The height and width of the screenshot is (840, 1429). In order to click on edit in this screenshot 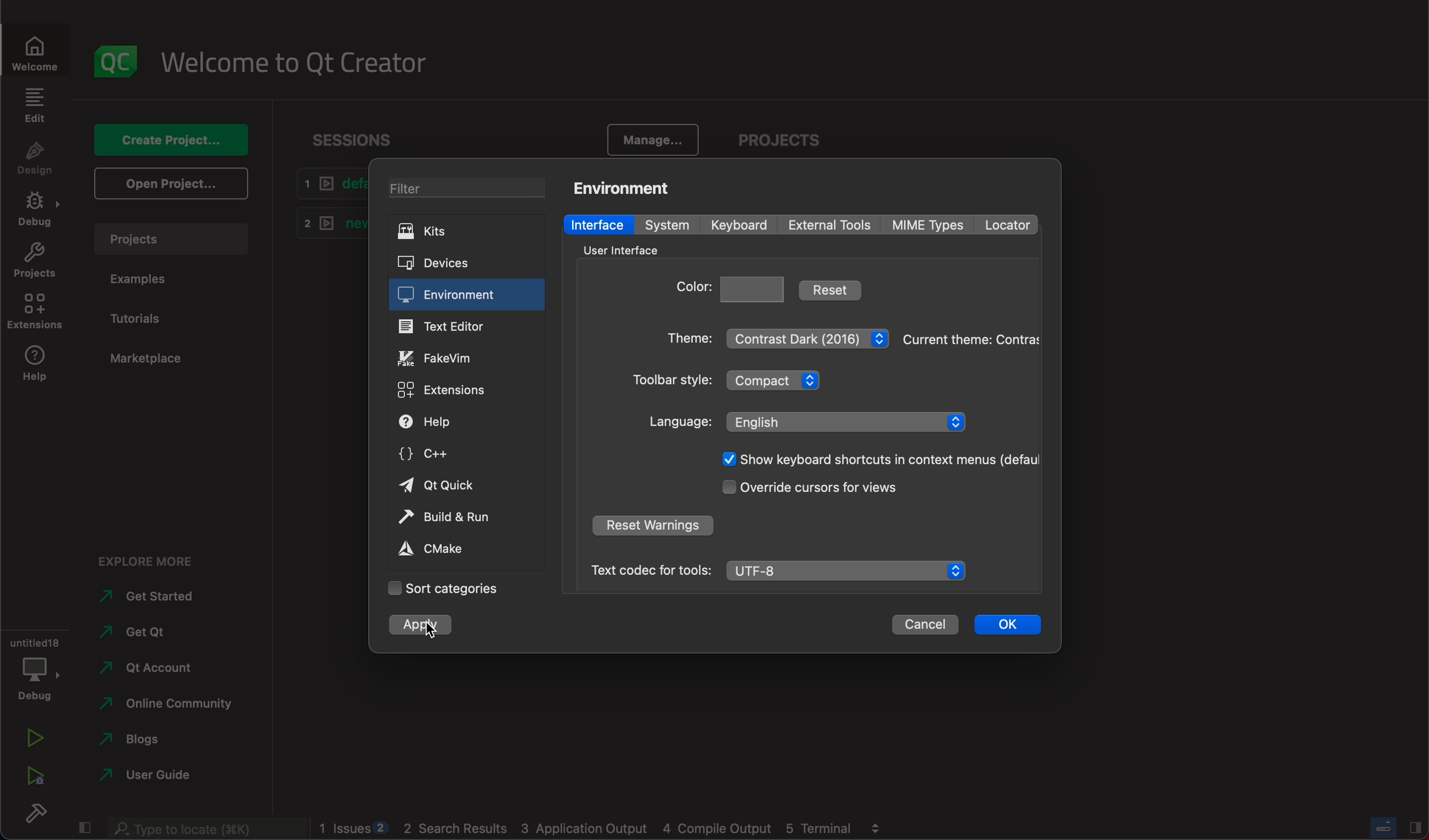, I will do `click(36, 109)`.